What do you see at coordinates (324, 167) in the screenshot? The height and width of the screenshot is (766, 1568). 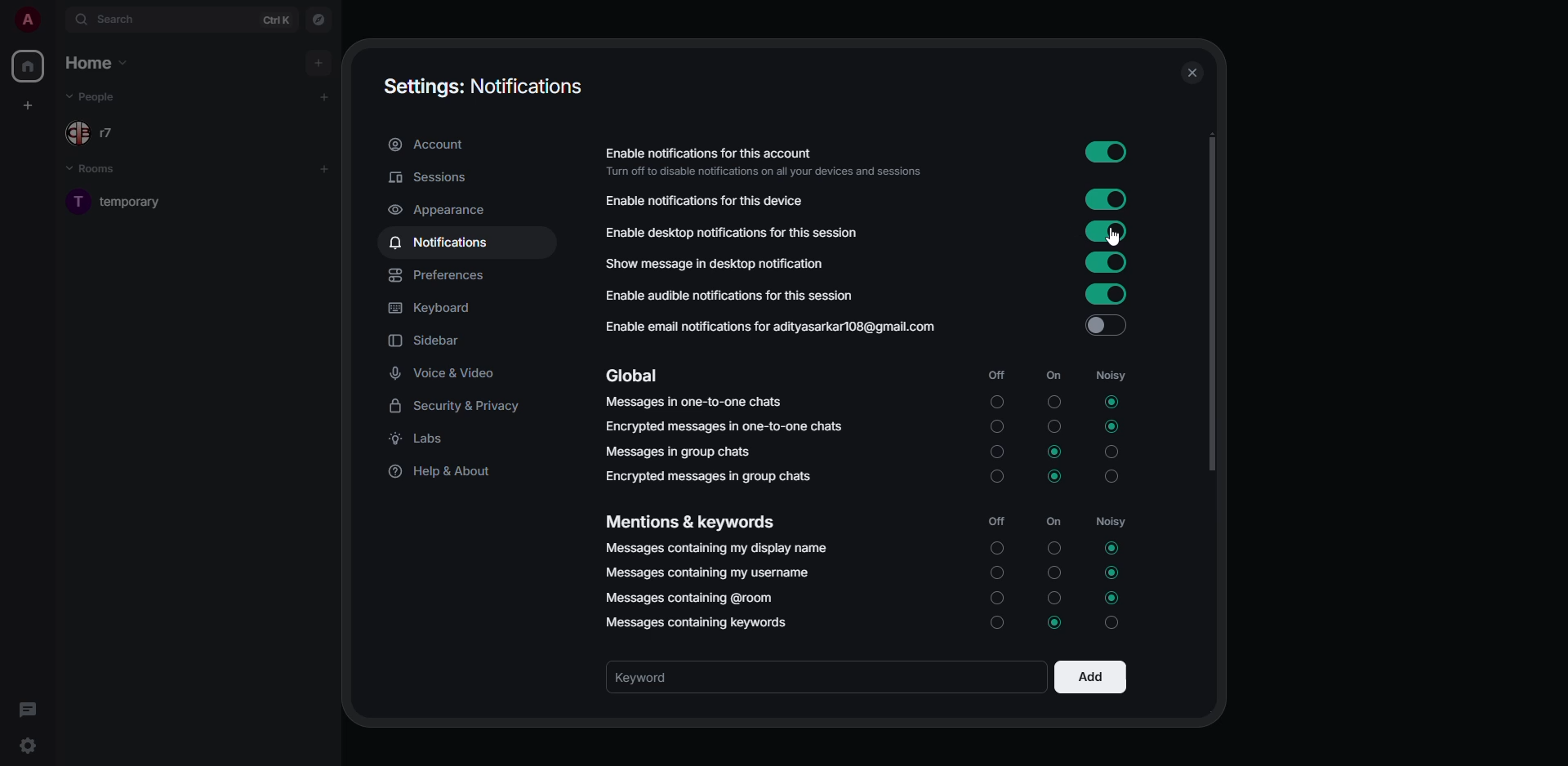 I see `add` at bounding box center [324, 167].